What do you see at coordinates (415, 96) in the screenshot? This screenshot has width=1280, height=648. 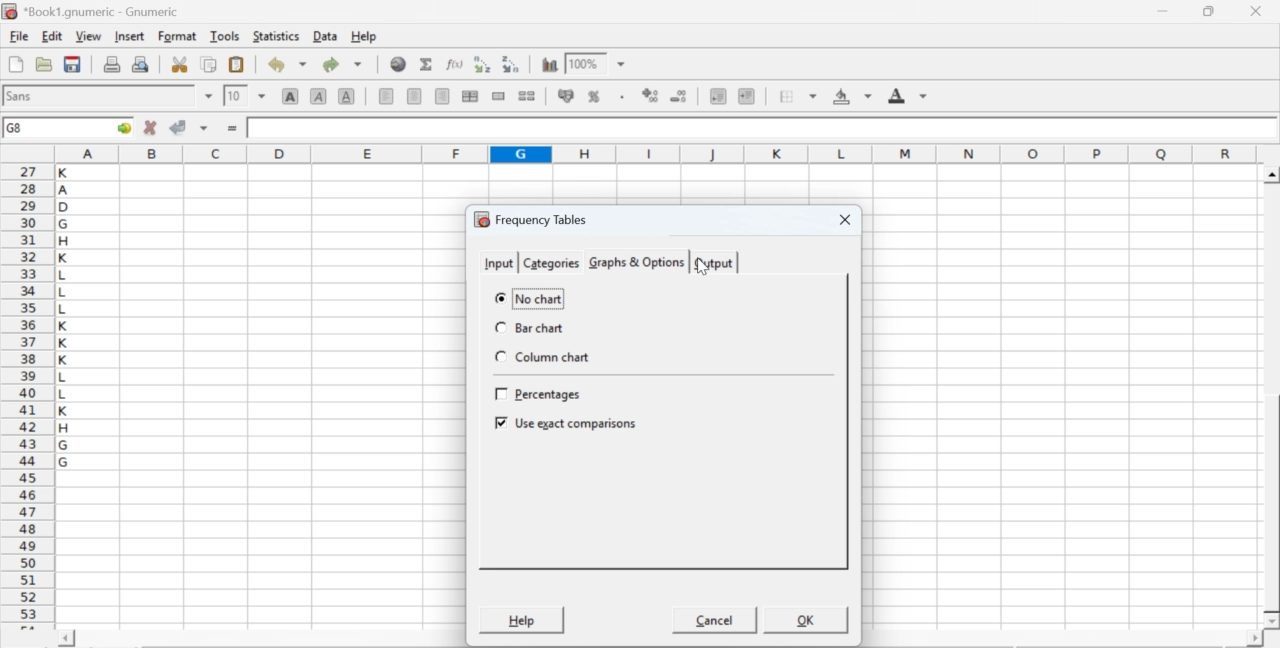 I see `center horizontally` at bounding box center [415, 96].